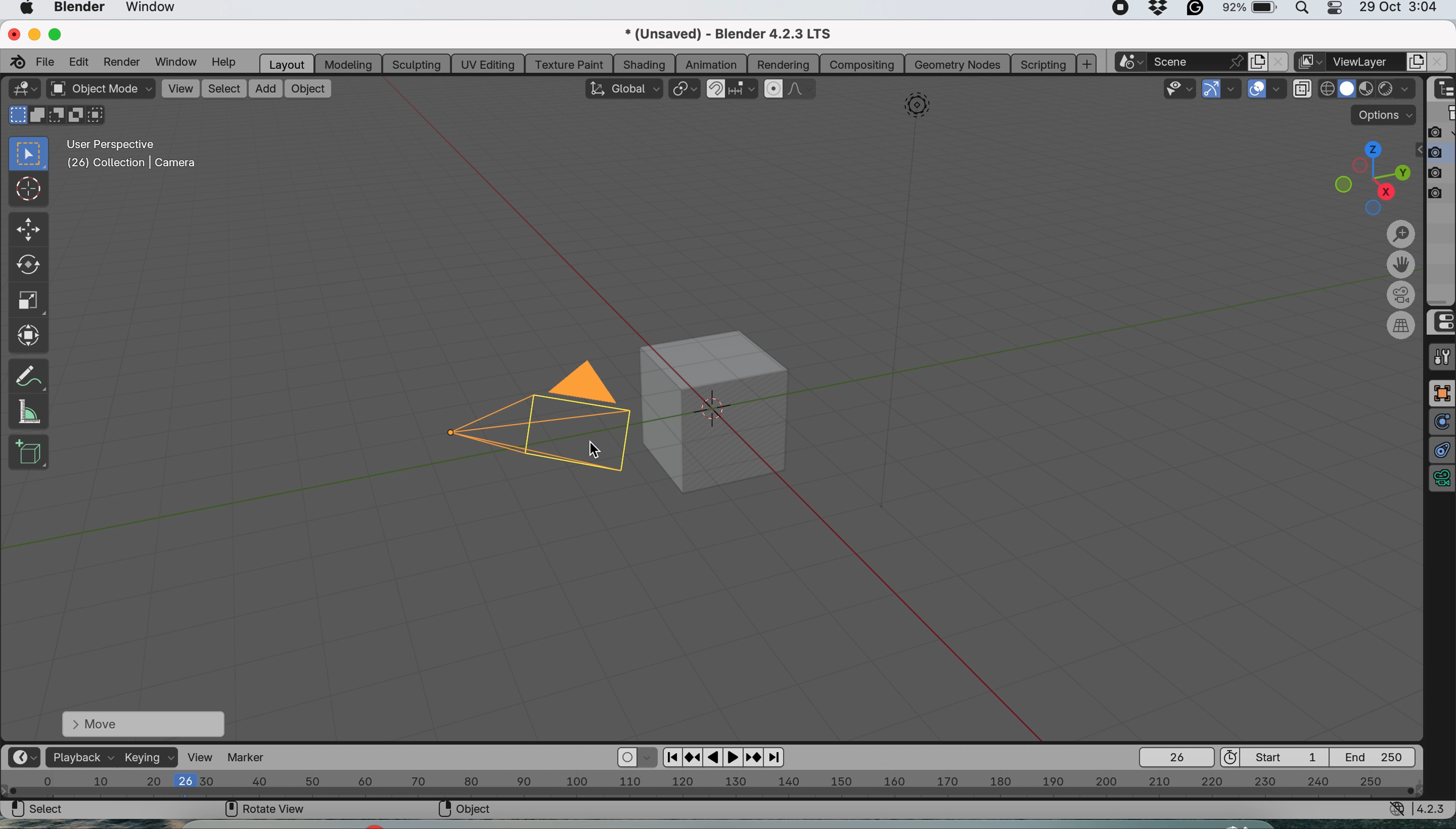 The image size is (1456, 829). Describe the element at coordinates (80, 757) in the screenshot. I see `playback` at that location.